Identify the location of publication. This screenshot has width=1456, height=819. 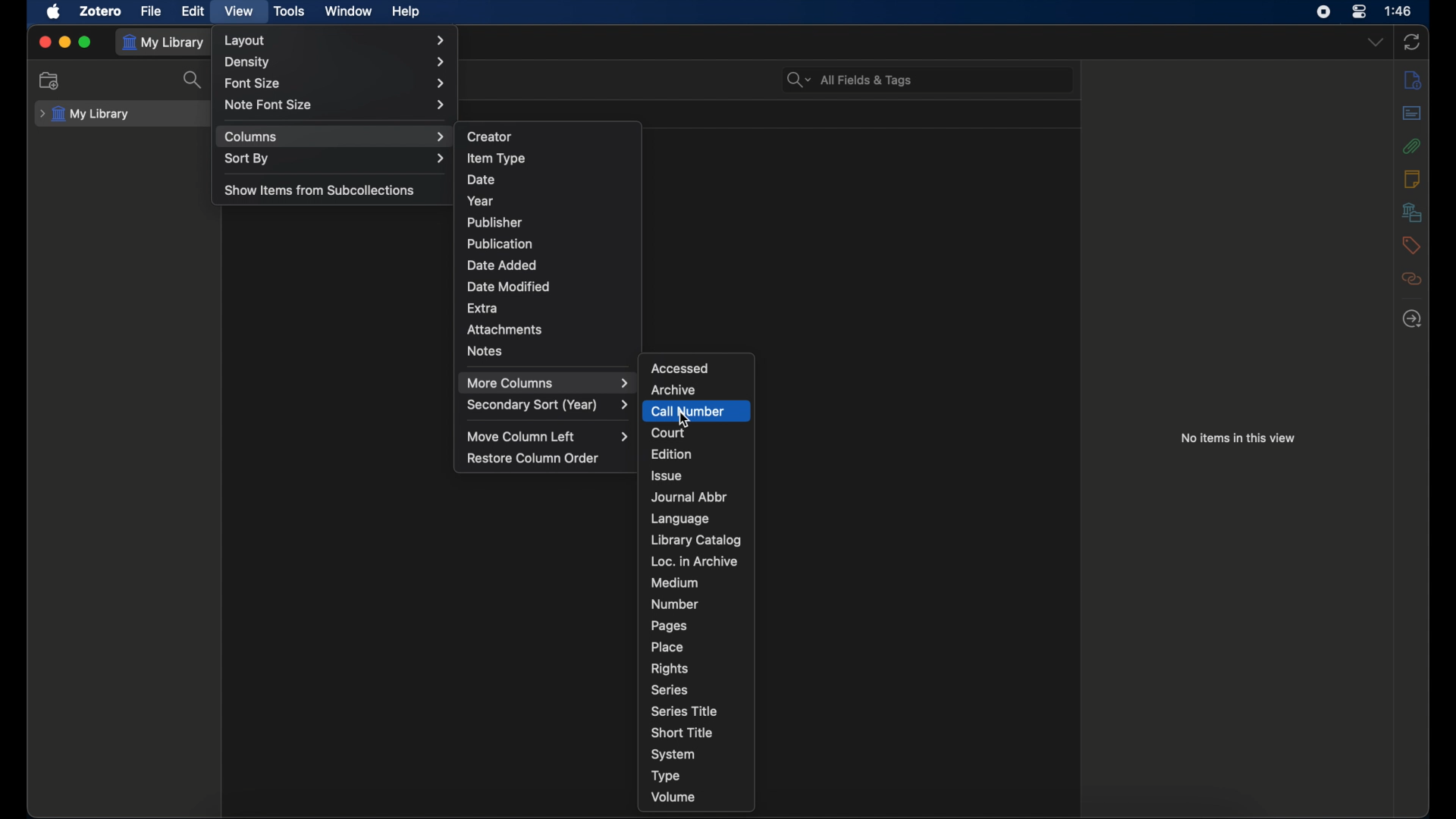
(499, 243).